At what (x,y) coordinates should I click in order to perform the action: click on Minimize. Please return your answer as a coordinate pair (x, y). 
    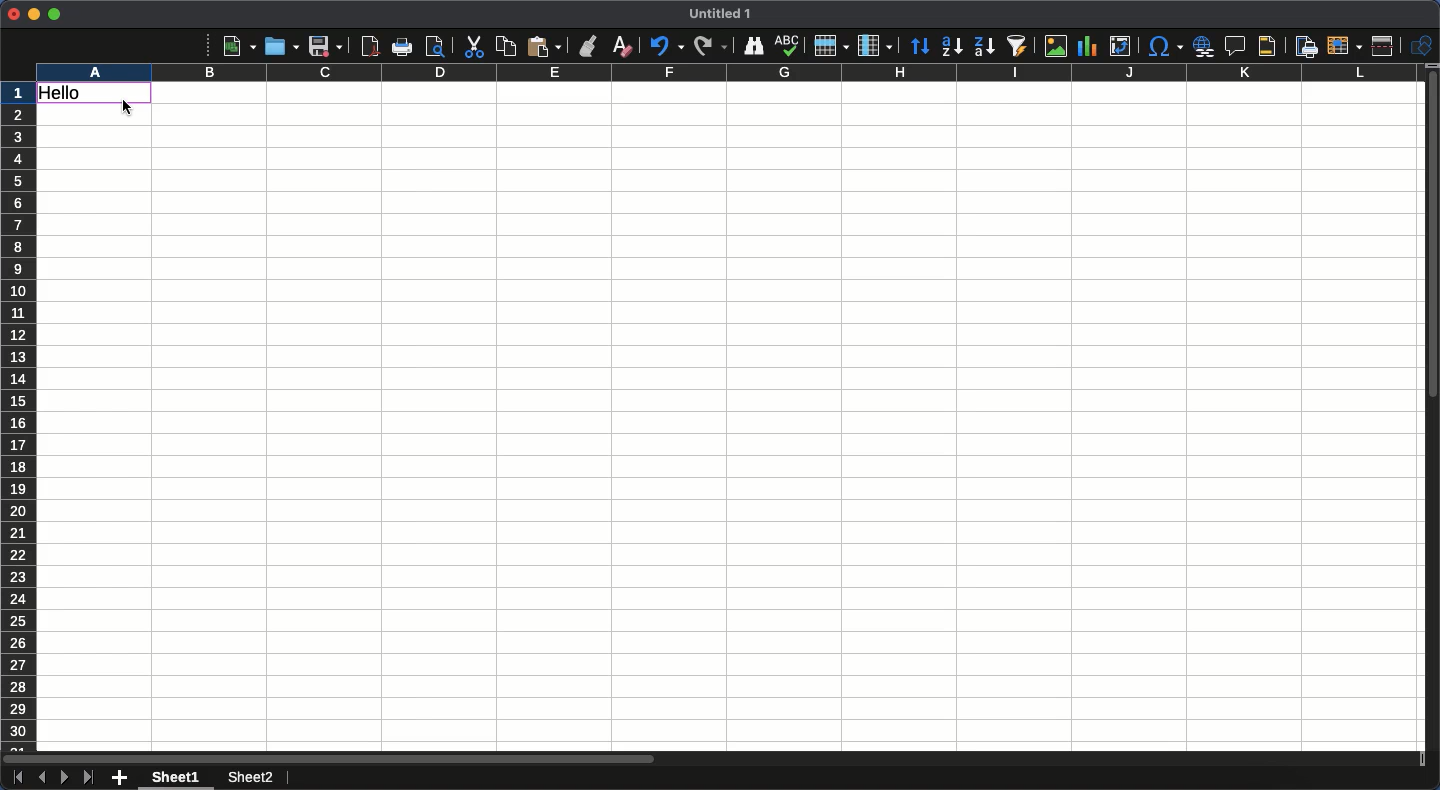
    Looking at the image, I should click on (34, 15).